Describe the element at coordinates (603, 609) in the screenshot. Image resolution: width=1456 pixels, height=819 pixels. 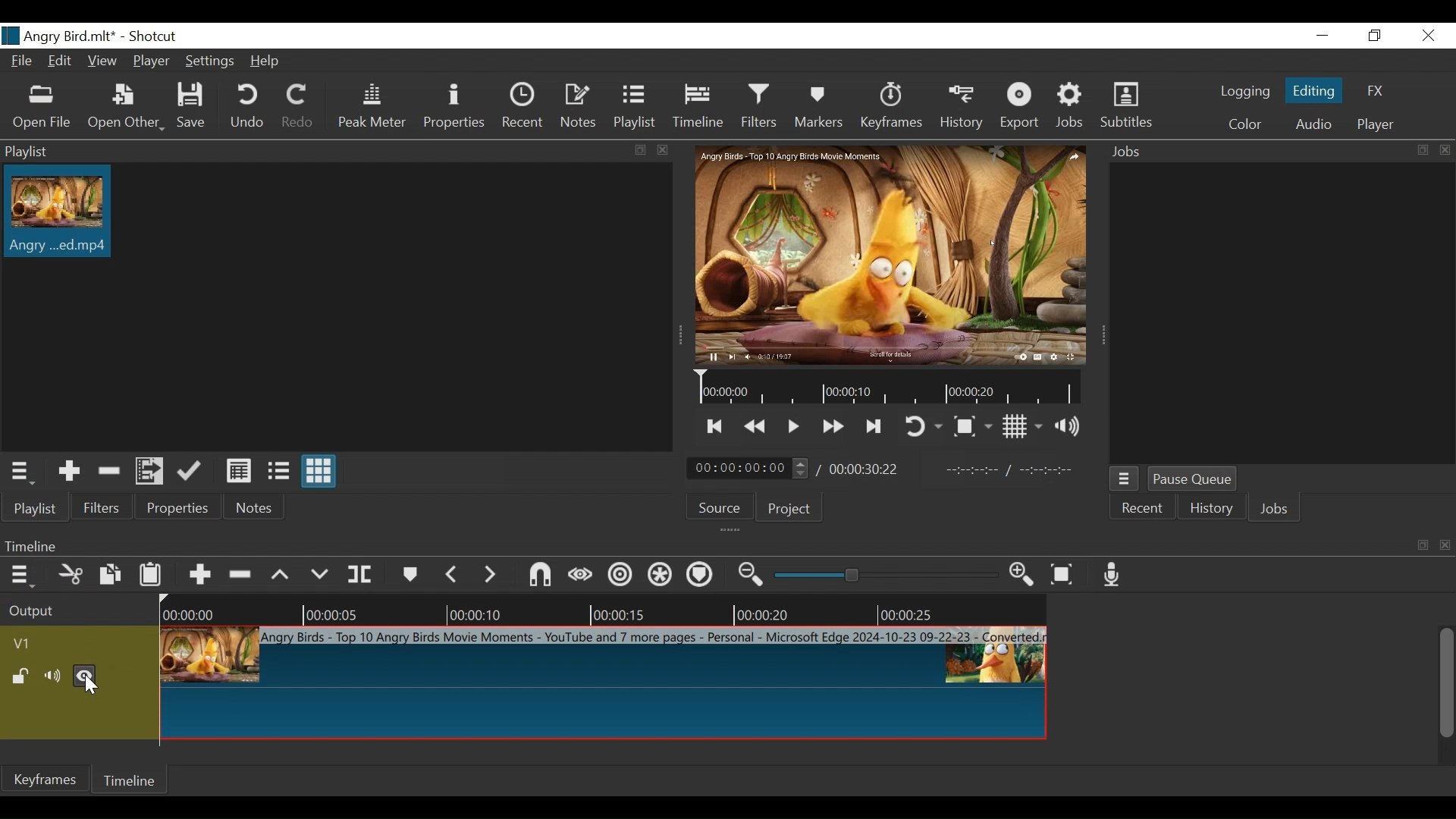
I see `Timeline` at that location.